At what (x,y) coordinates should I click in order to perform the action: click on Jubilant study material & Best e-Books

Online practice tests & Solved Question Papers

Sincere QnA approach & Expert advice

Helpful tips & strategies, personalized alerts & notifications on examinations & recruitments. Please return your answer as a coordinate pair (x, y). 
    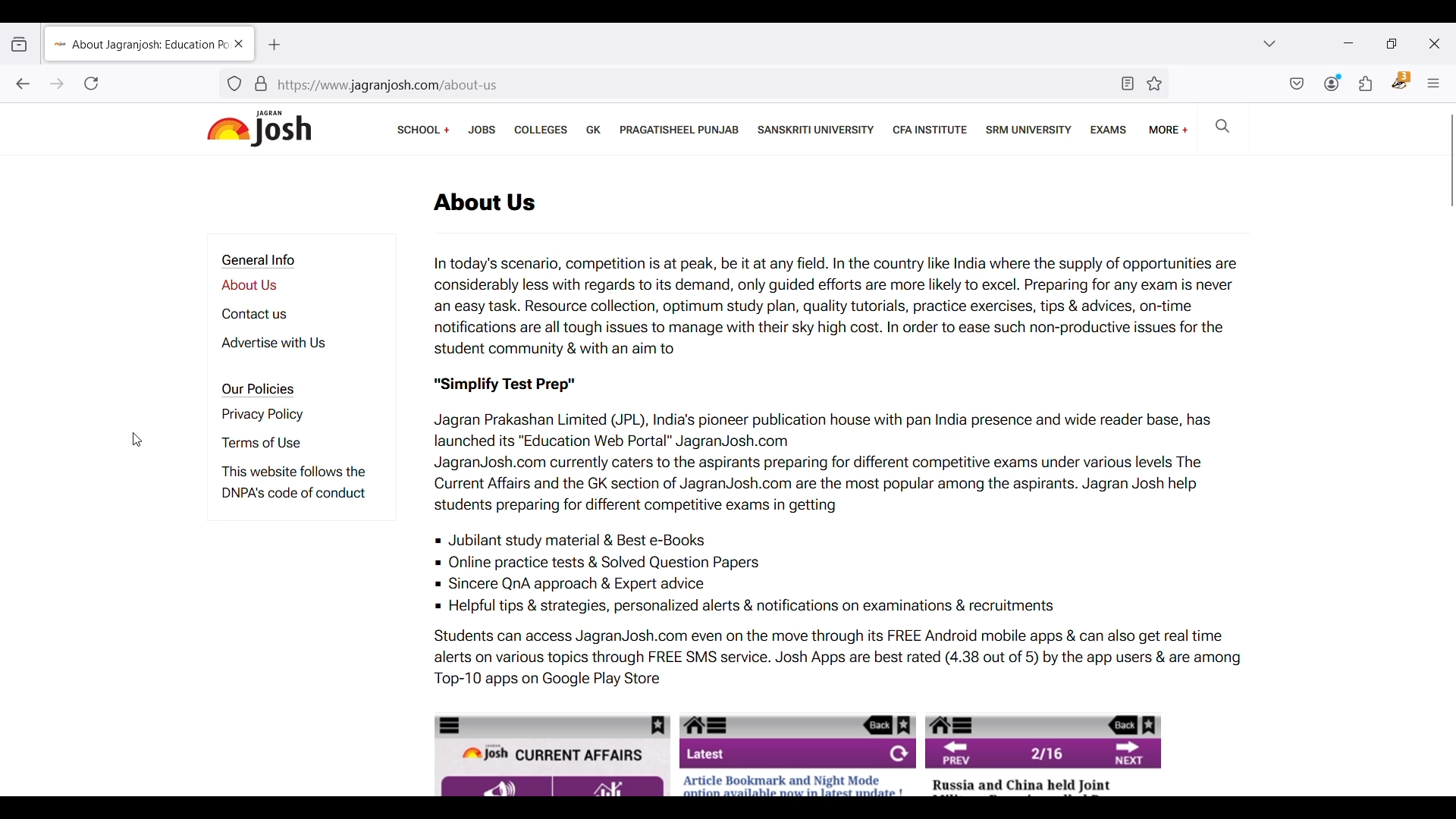
    Looking at the image, I should click on (817, 567).